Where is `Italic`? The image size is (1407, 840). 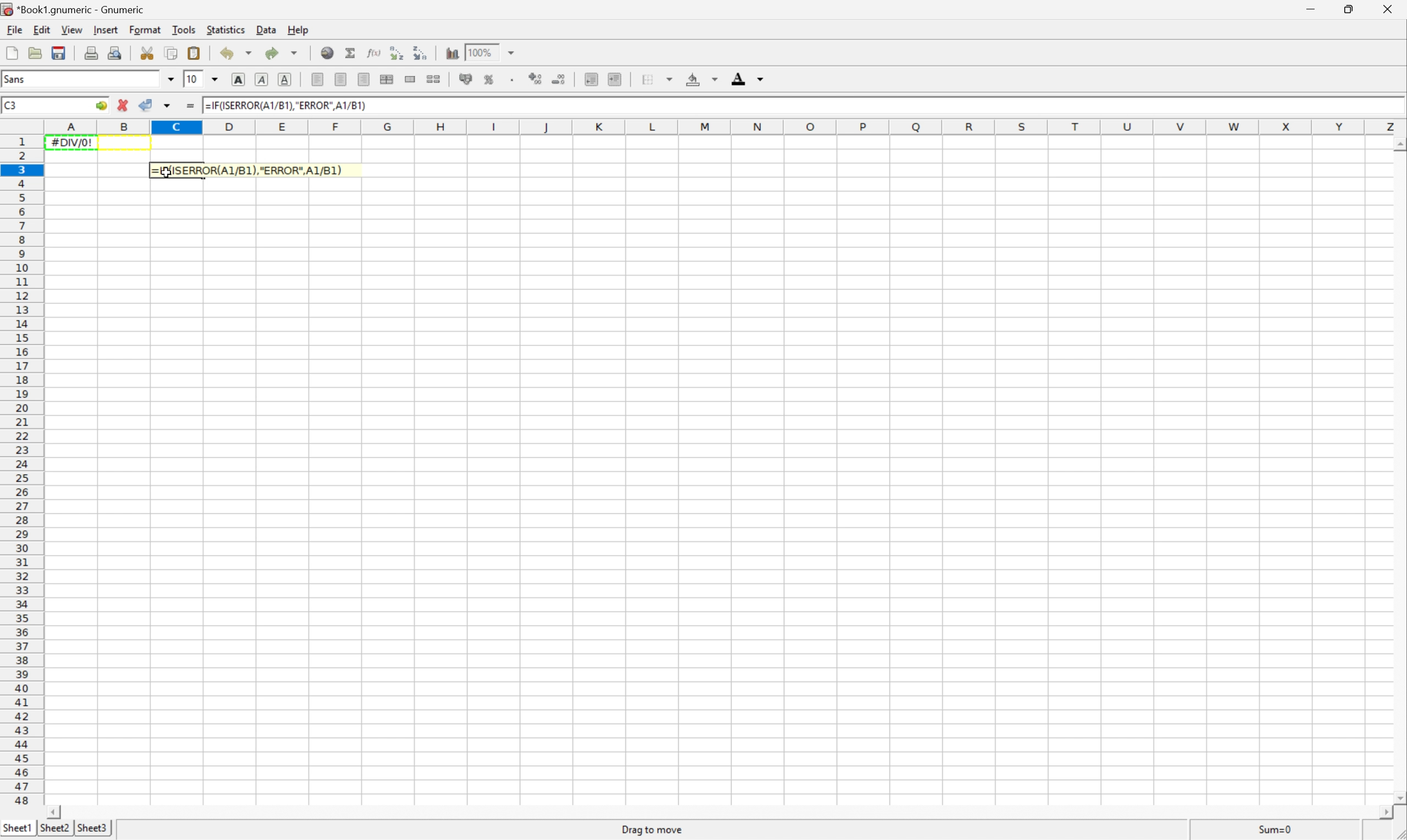 Italic is located at coordinates (261, 80).